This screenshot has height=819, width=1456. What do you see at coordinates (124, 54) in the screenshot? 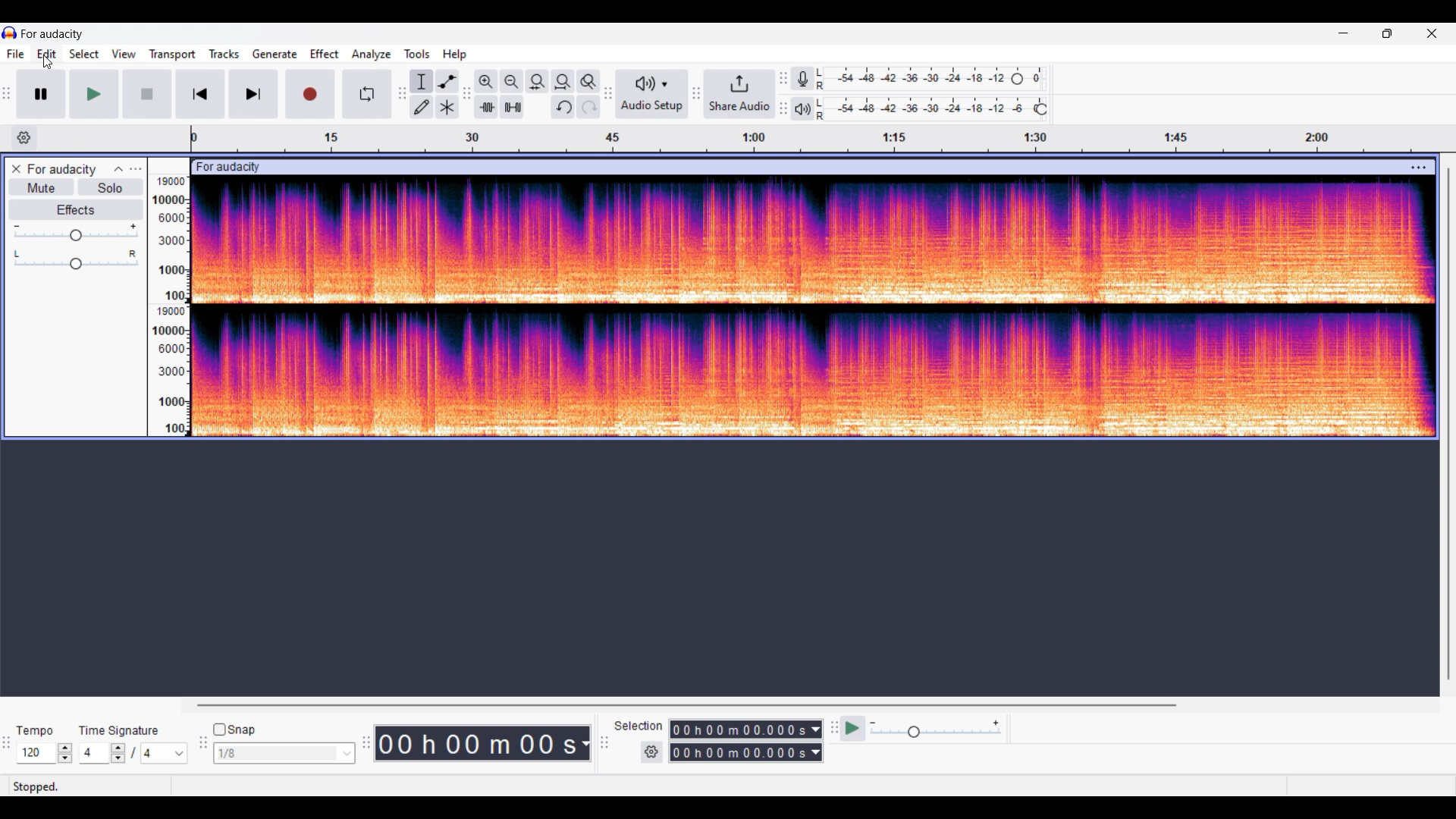
I see `View menu` at bounding box center [124, 54].